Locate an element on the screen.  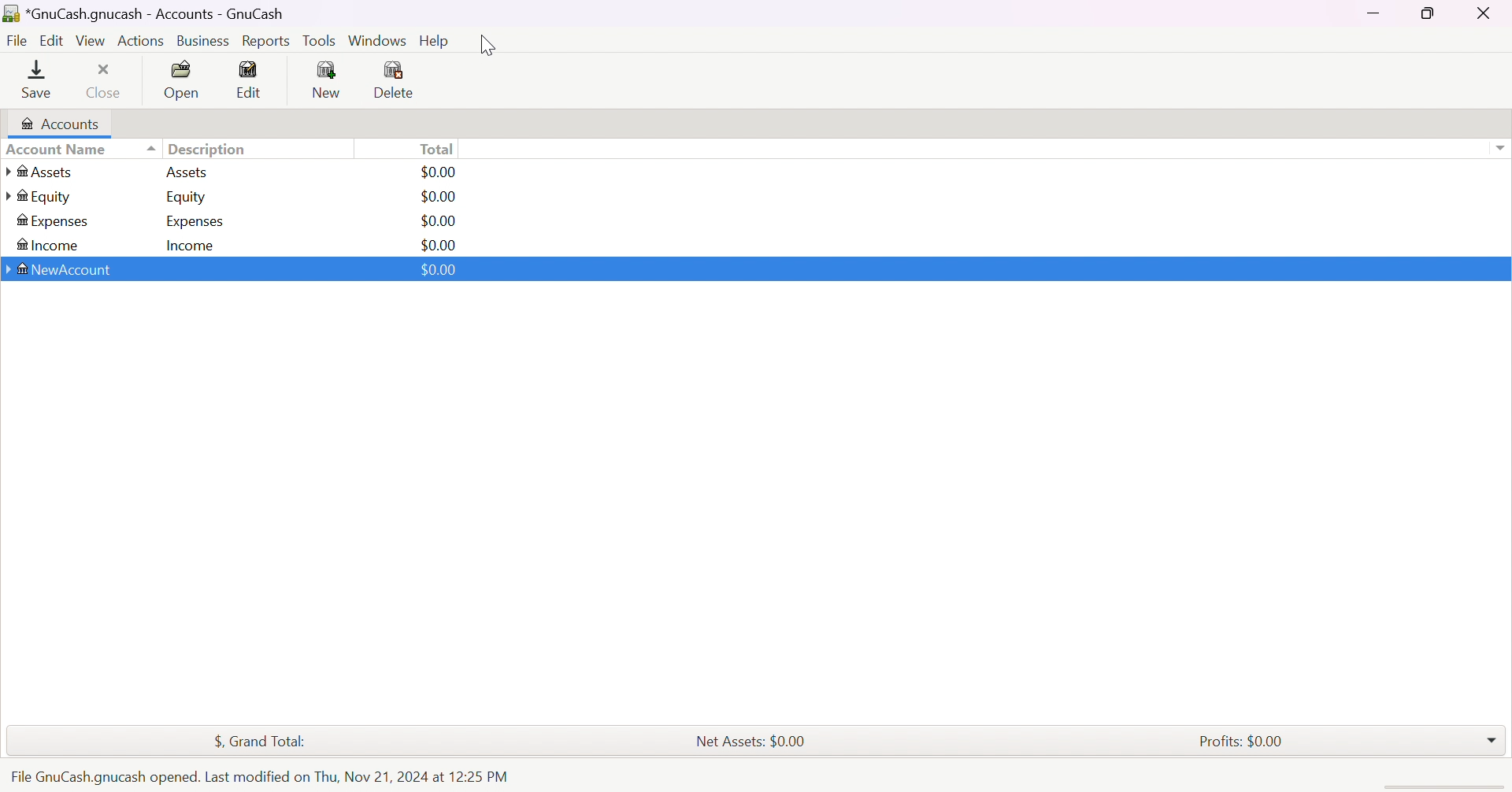
New is located at coordinates (328, 81).